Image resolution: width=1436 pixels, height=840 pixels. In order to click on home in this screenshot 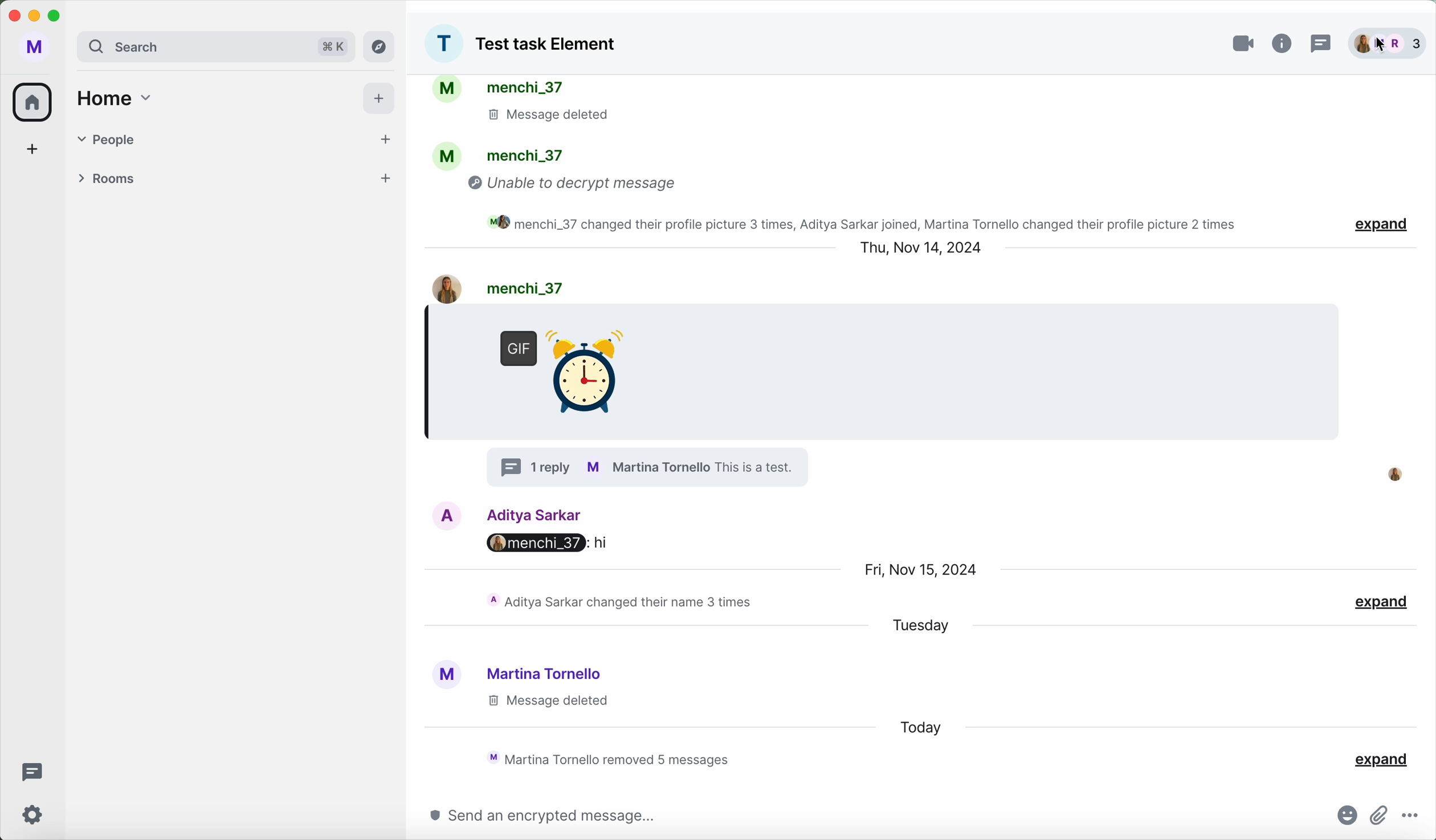, I will do `click(119, 100)`.